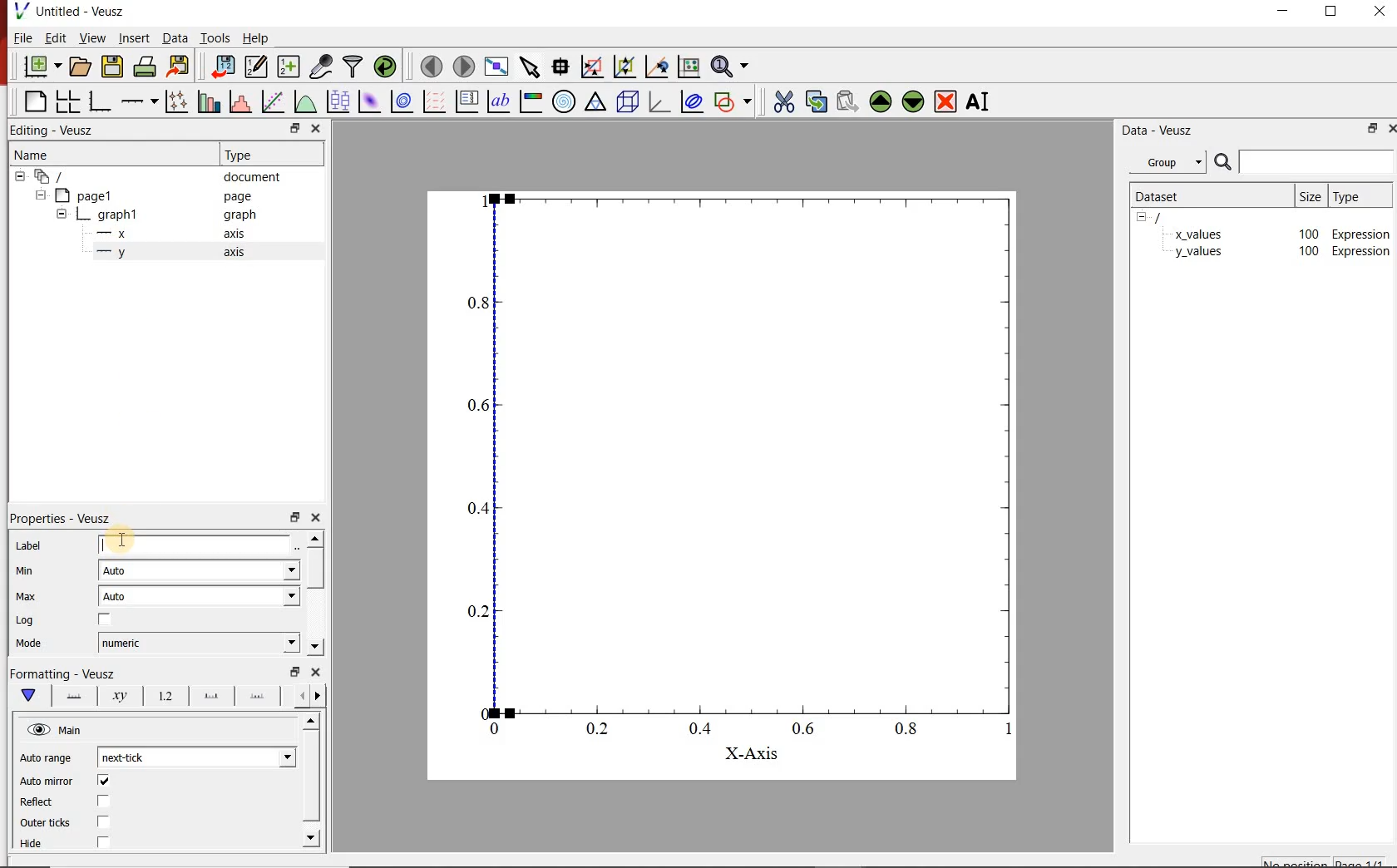 This screenshot has width=1397, height=868. What do you see at coordinates (1382, 13) in the screenshot?
I see `close` at bounding box center [1382, 13].